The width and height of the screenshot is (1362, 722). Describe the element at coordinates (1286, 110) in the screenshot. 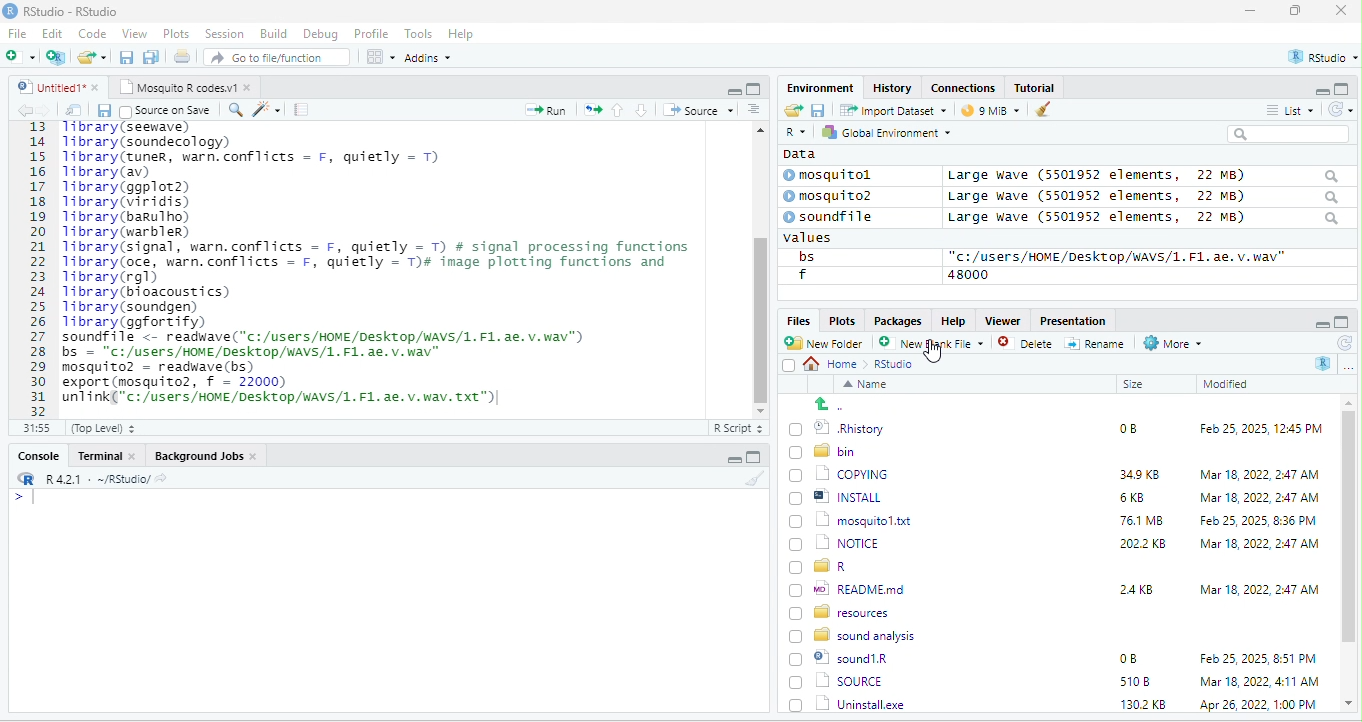

I see `= List ~` at that location.